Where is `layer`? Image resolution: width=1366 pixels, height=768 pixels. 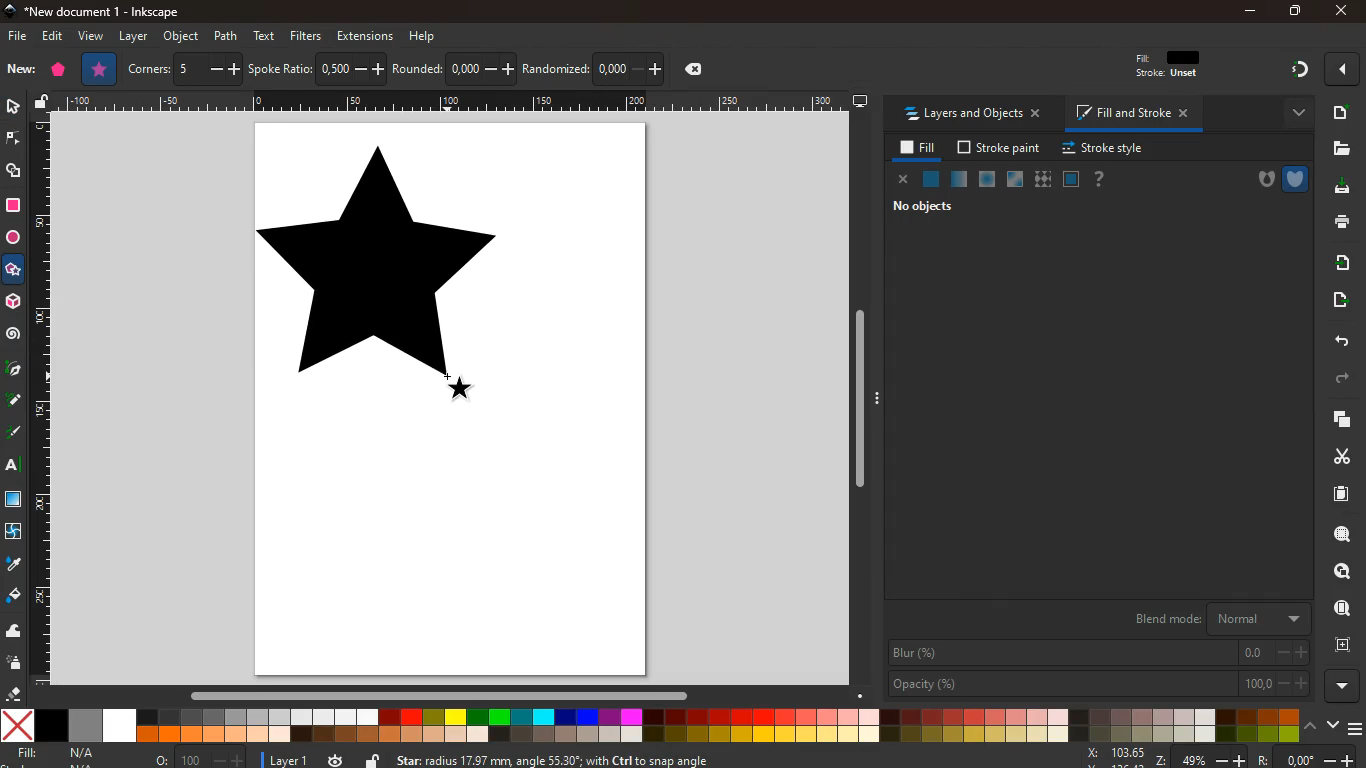 layer is located at coordinates (131, 37).